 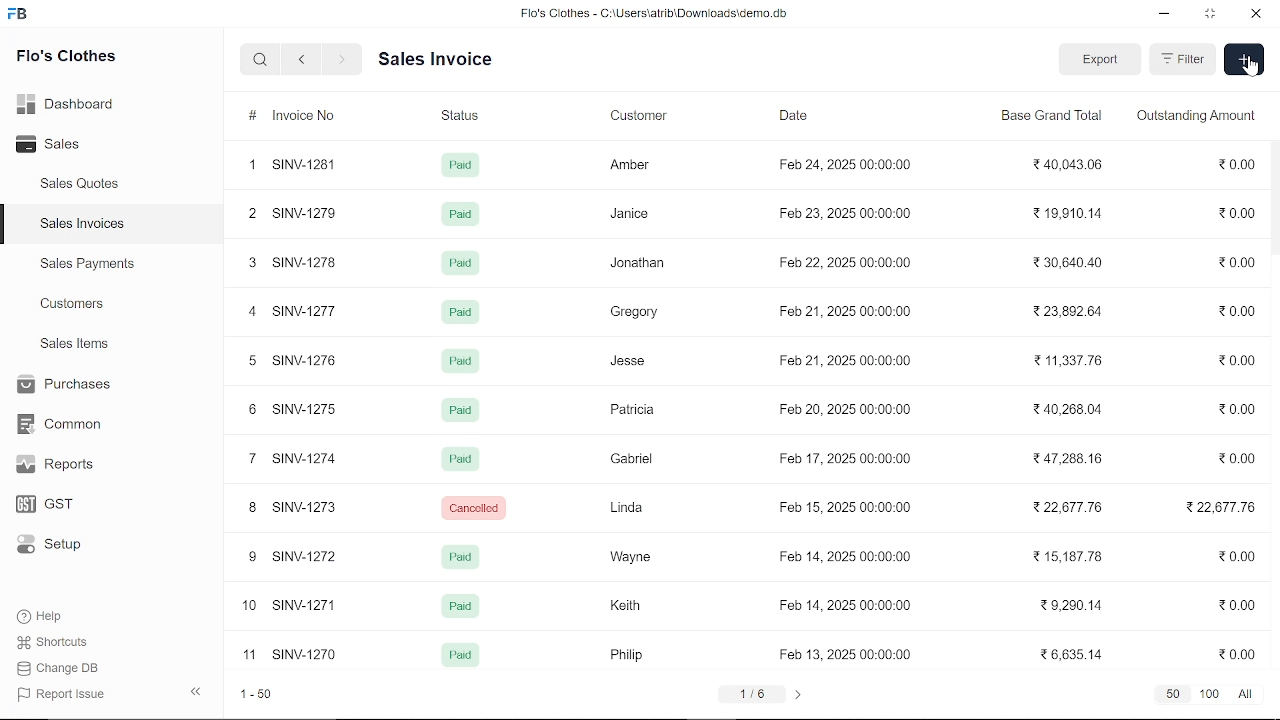 I want to click on frappe books logo, so click(x=20, y=17).